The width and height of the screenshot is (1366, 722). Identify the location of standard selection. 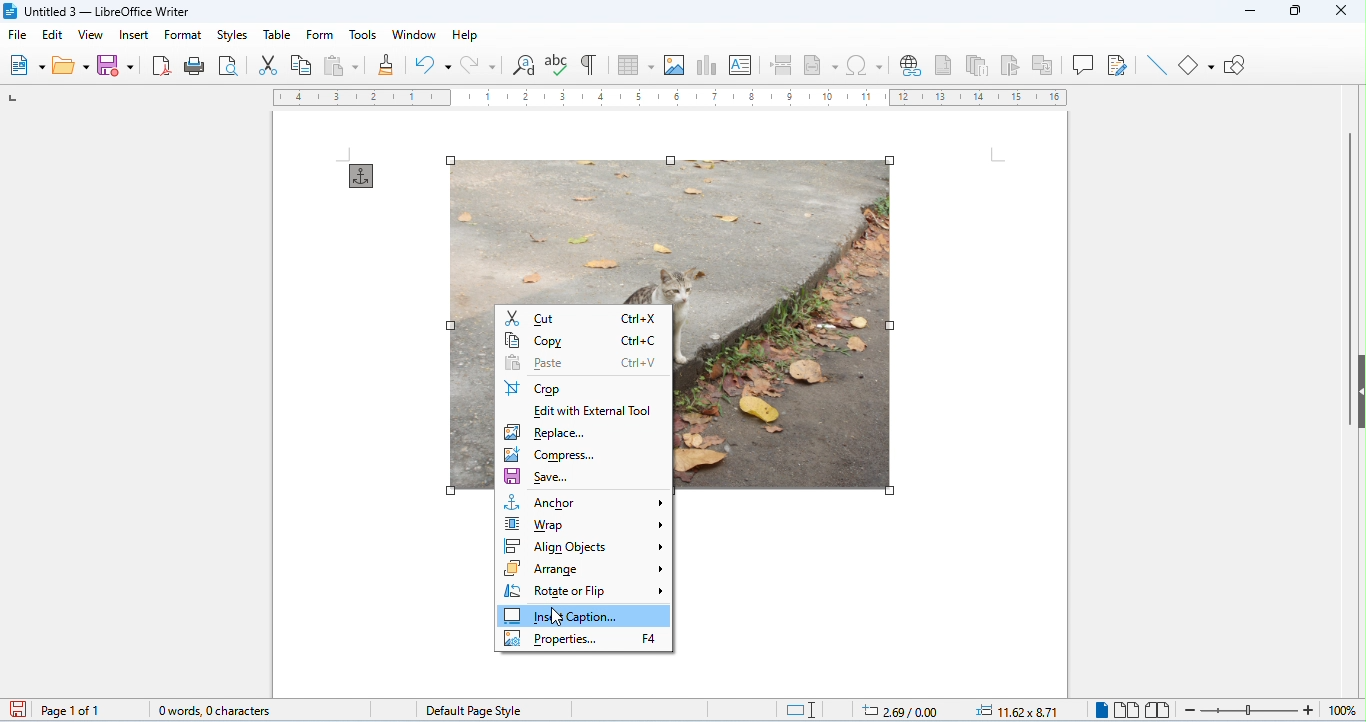
(801, 710).